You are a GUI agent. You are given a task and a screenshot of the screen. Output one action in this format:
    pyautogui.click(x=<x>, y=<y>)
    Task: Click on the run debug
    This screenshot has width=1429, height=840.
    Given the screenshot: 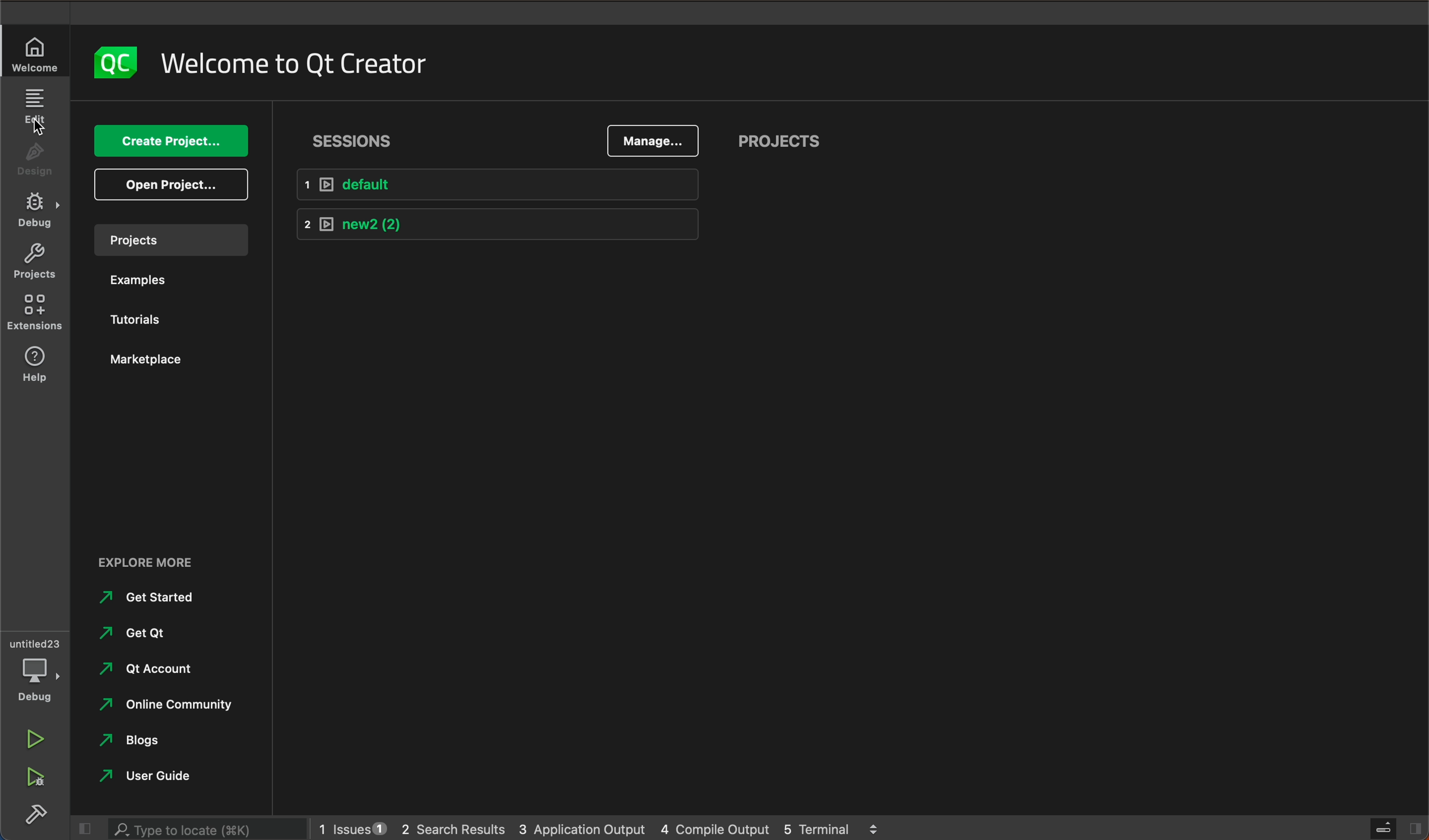 What is the action you would take?
    pyautogui.click(x=35, y=779)
    